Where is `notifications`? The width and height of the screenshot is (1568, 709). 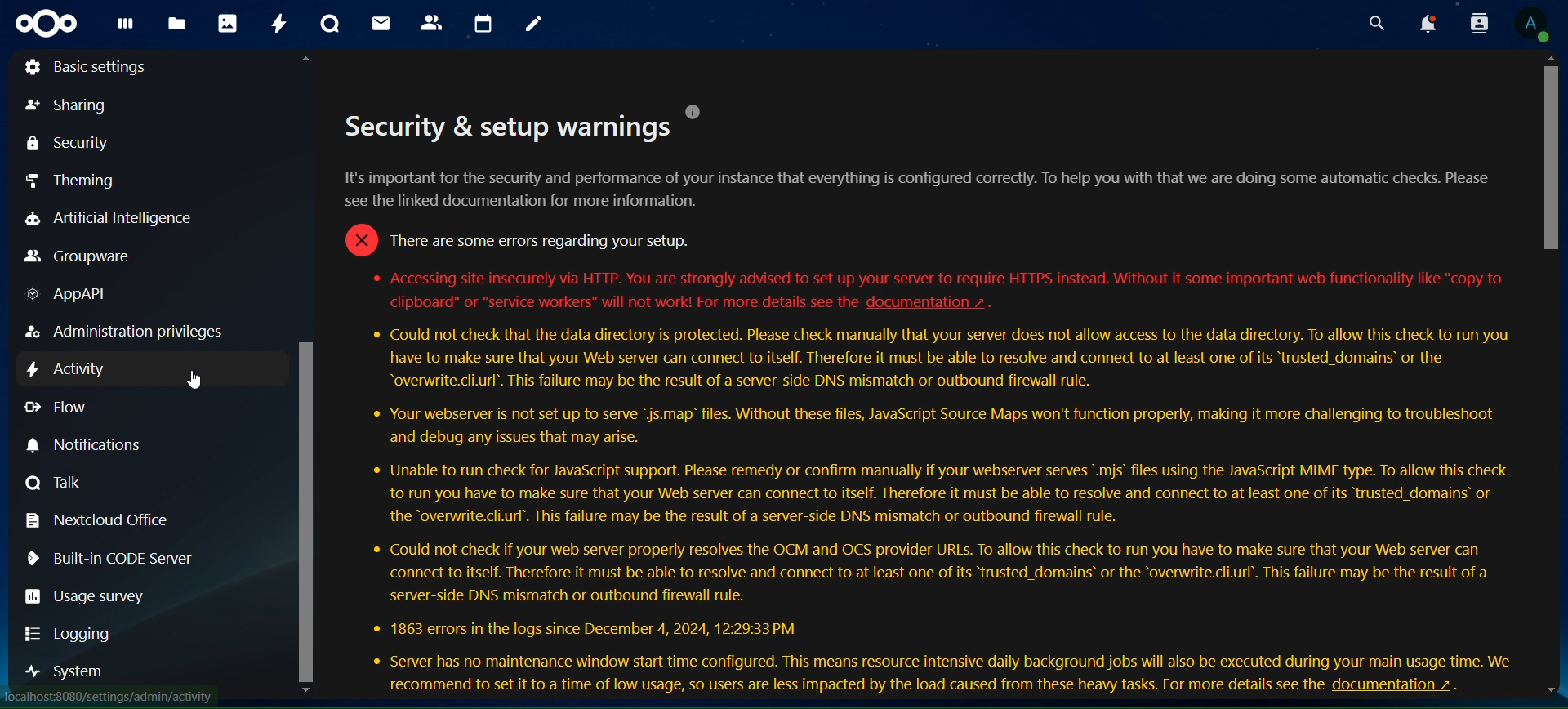
notifications is located at coordinates (1424, 24).